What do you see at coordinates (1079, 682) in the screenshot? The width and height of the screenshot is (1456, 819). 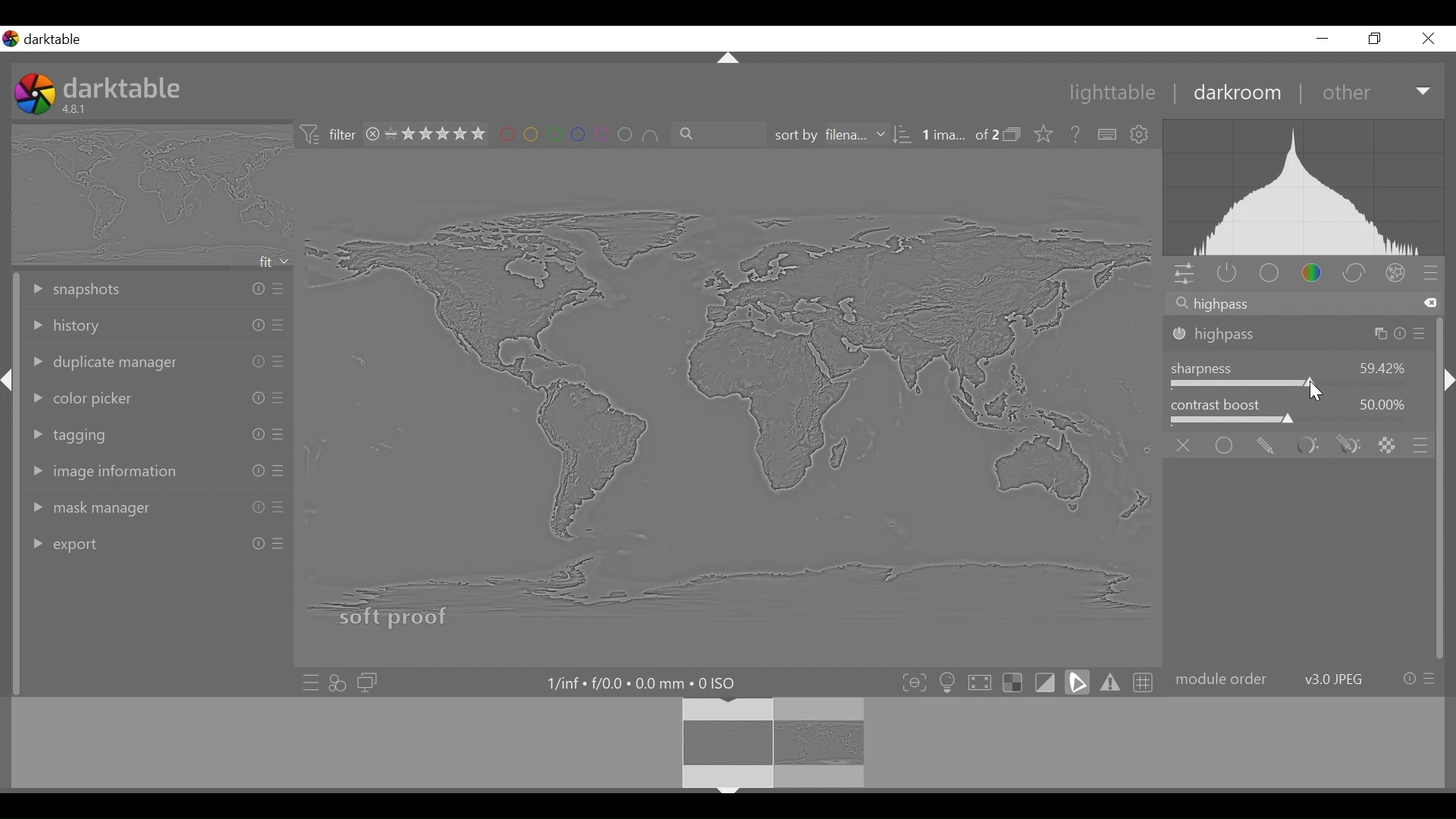 I see `toggle softproofing` at bounding box center [1079, 682].